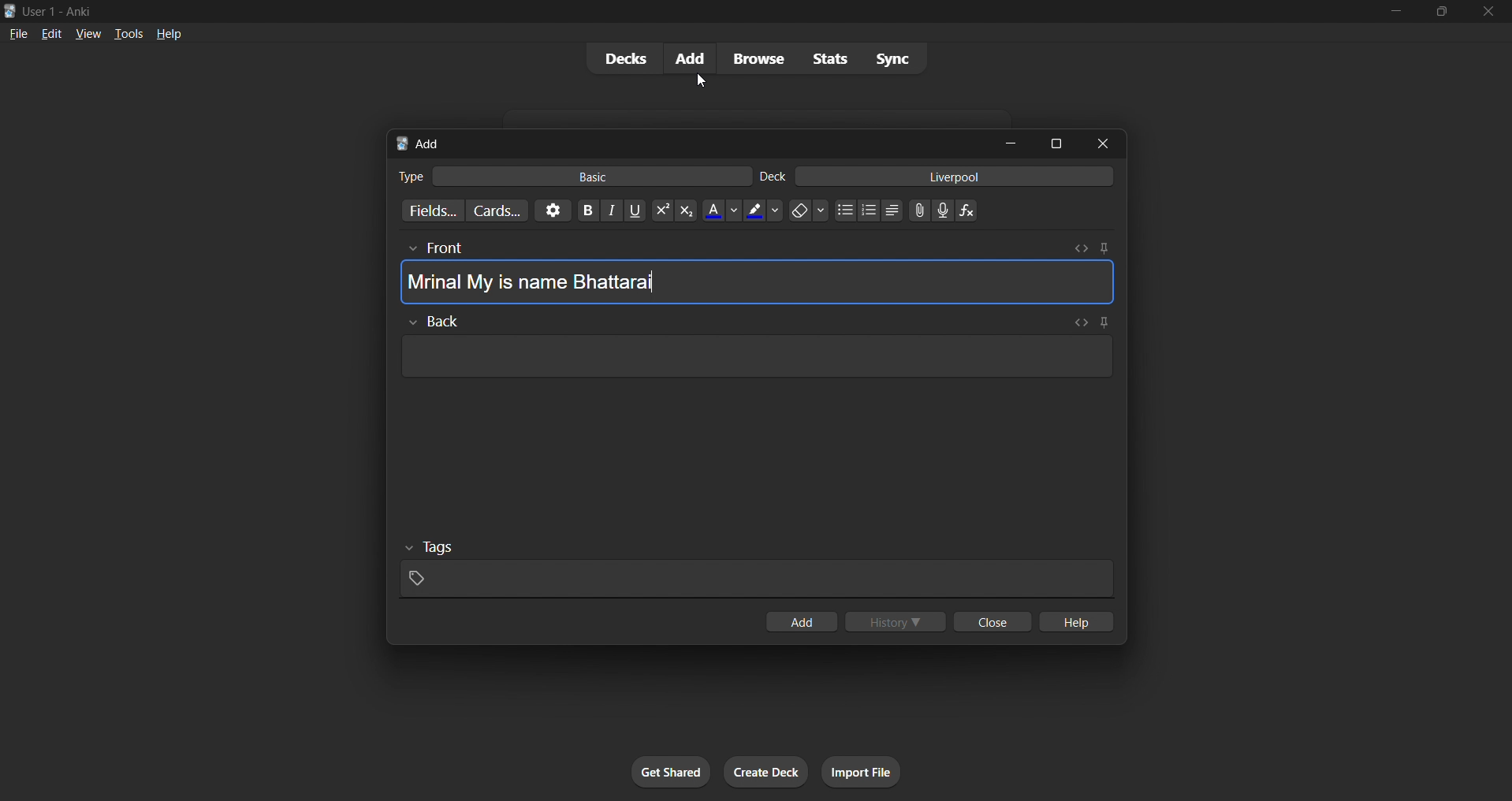  Describe the element at coordinates (888, 212) in the screenshot. I see `unordered list` at that location.